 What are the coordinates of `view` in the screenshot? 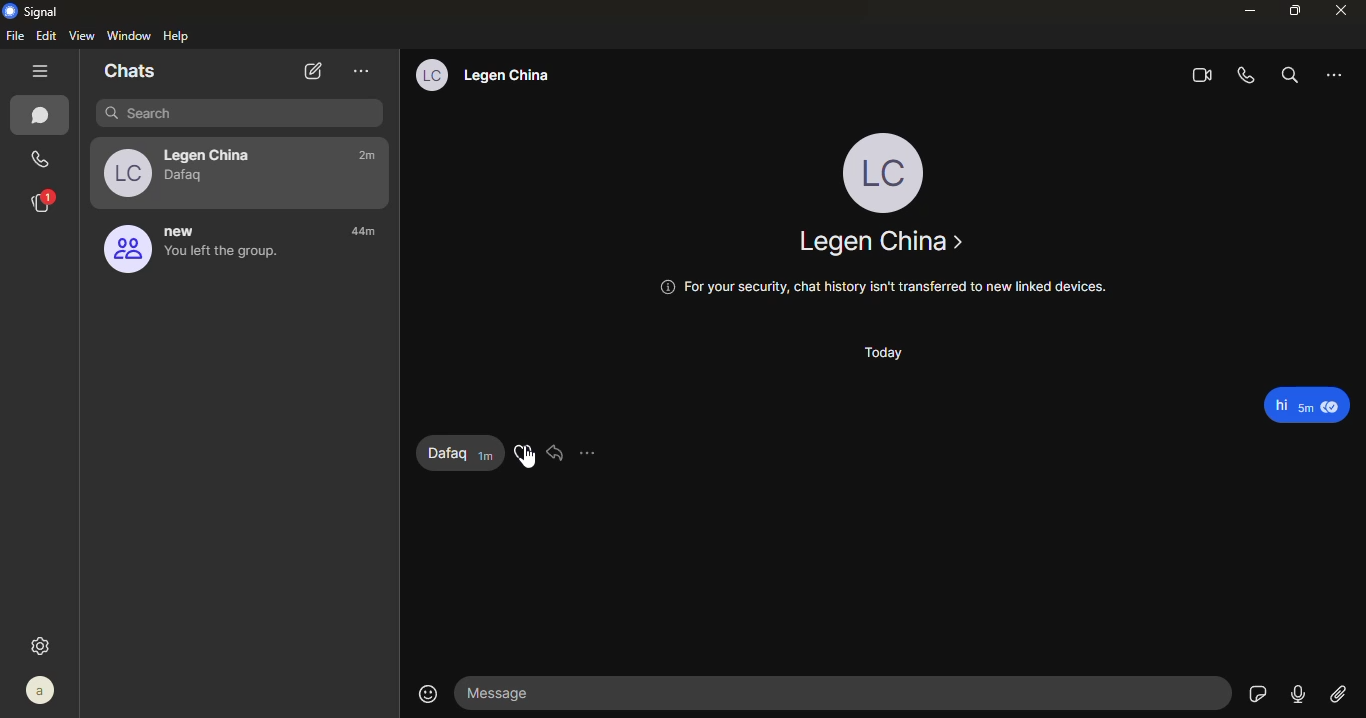 It's located at (83, 35).